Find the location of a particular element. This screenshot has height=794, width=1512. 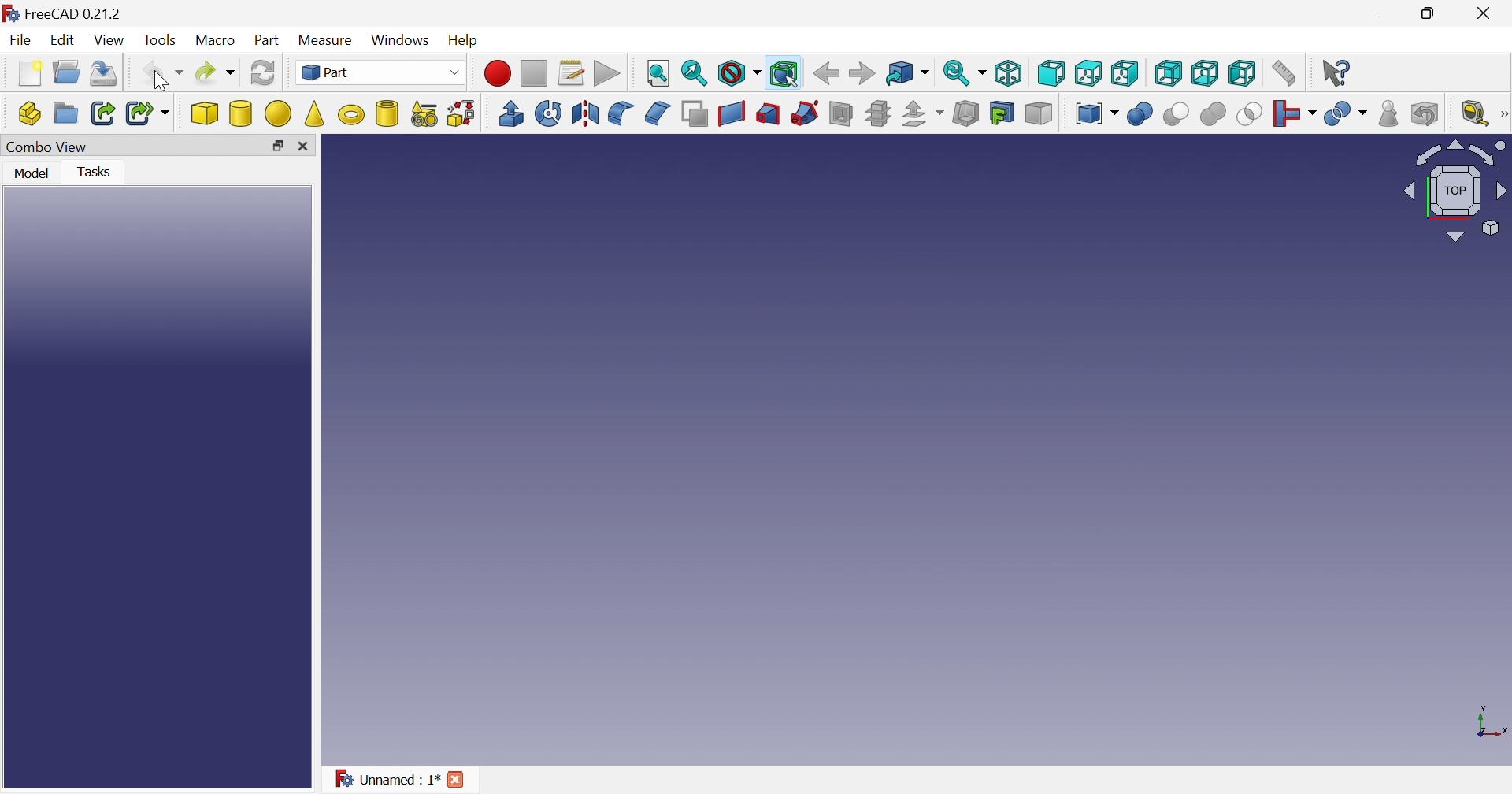

Fillet... is located at coordinates (621, 114).